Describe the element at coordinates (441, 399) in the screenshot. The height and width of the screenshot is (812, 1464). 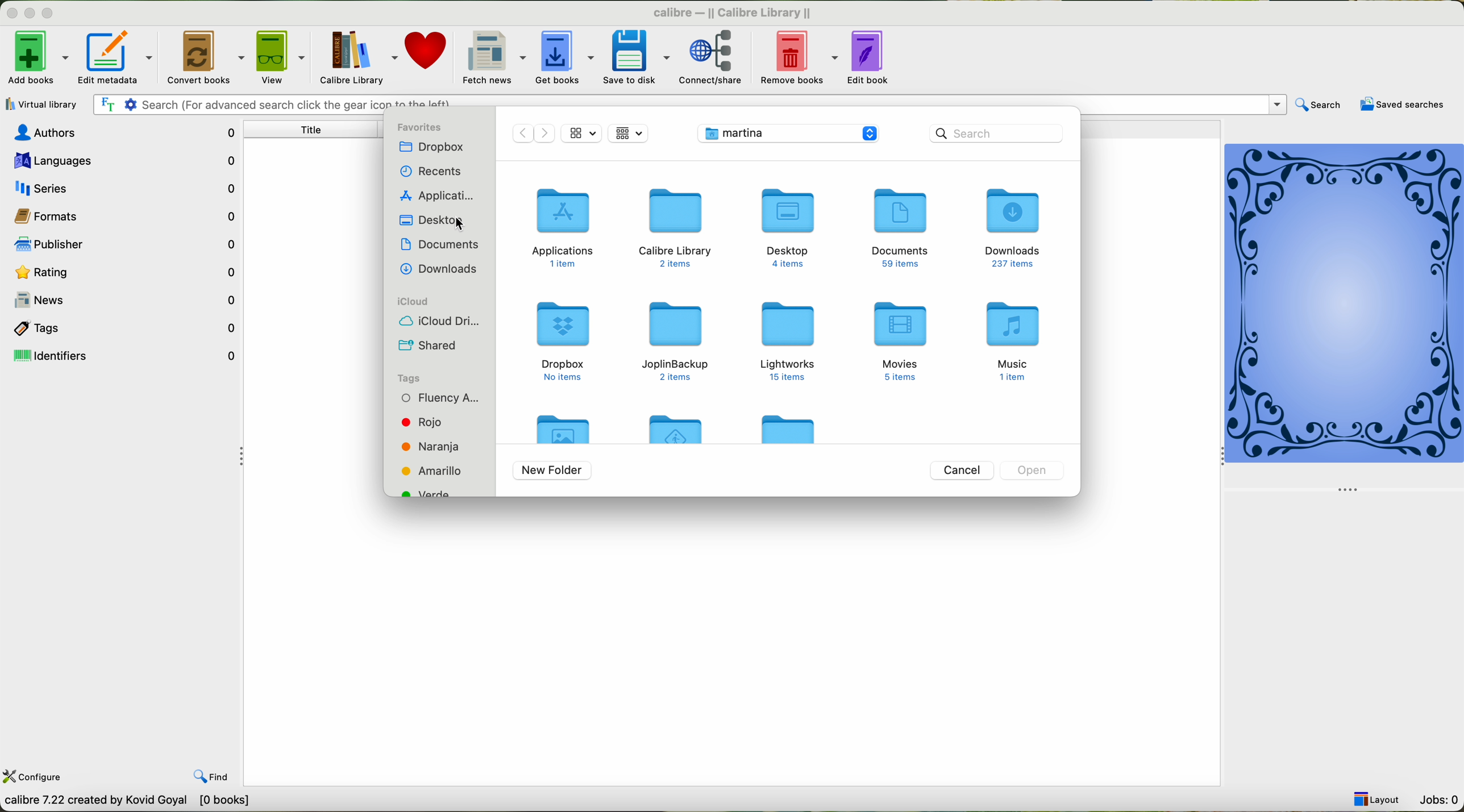
I see `fluency tag` at that location.